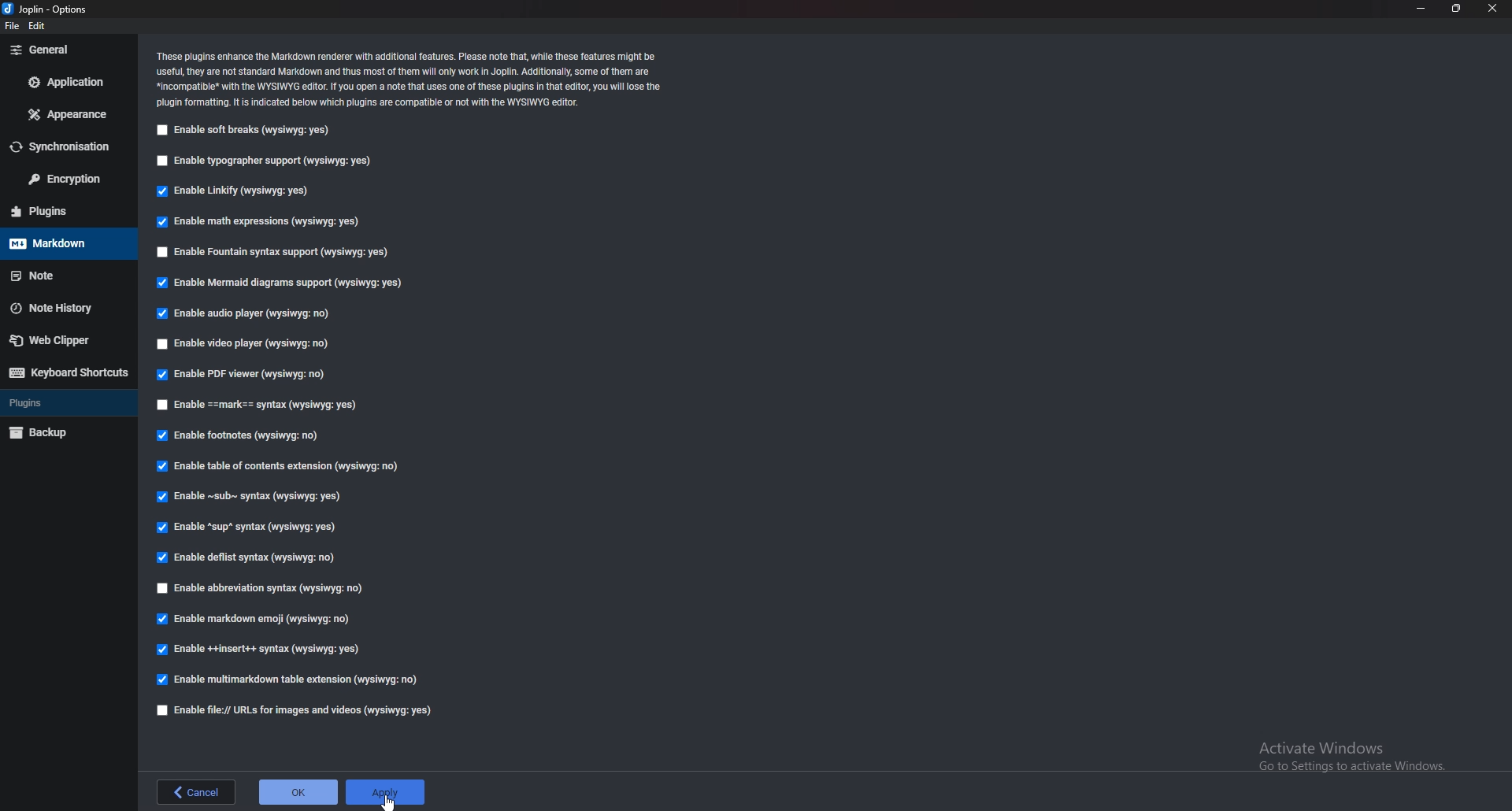 The image size is (1512, 811). I want to click on Enable sup syntax (wysiqyg:yes), so click(249, 530).